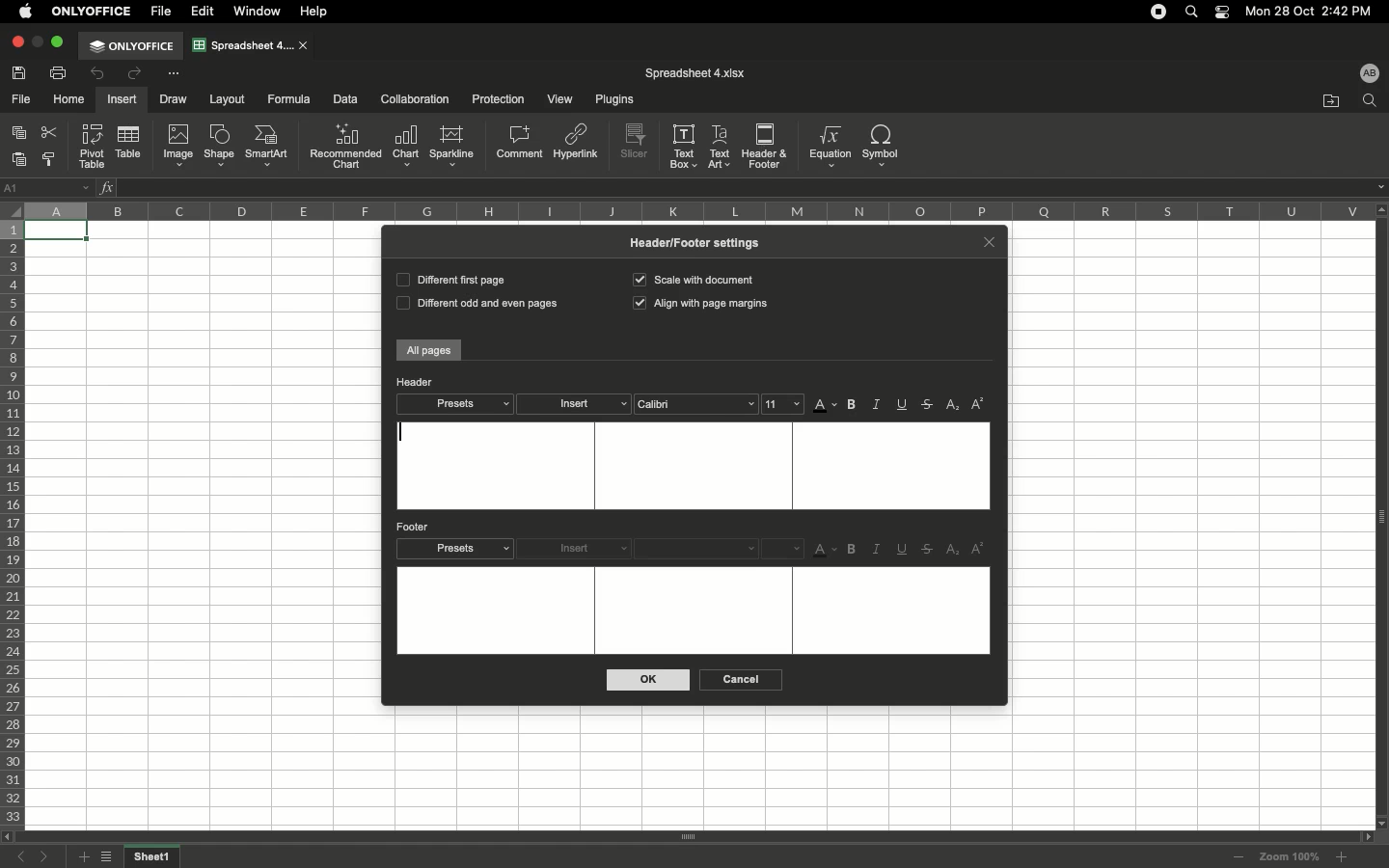 The height and width of the screenshot is (868, 1389). What do you see at coordinates (1364, 837) in the screenshot?
I see `scroll right` at bounding box center [1364, 837].